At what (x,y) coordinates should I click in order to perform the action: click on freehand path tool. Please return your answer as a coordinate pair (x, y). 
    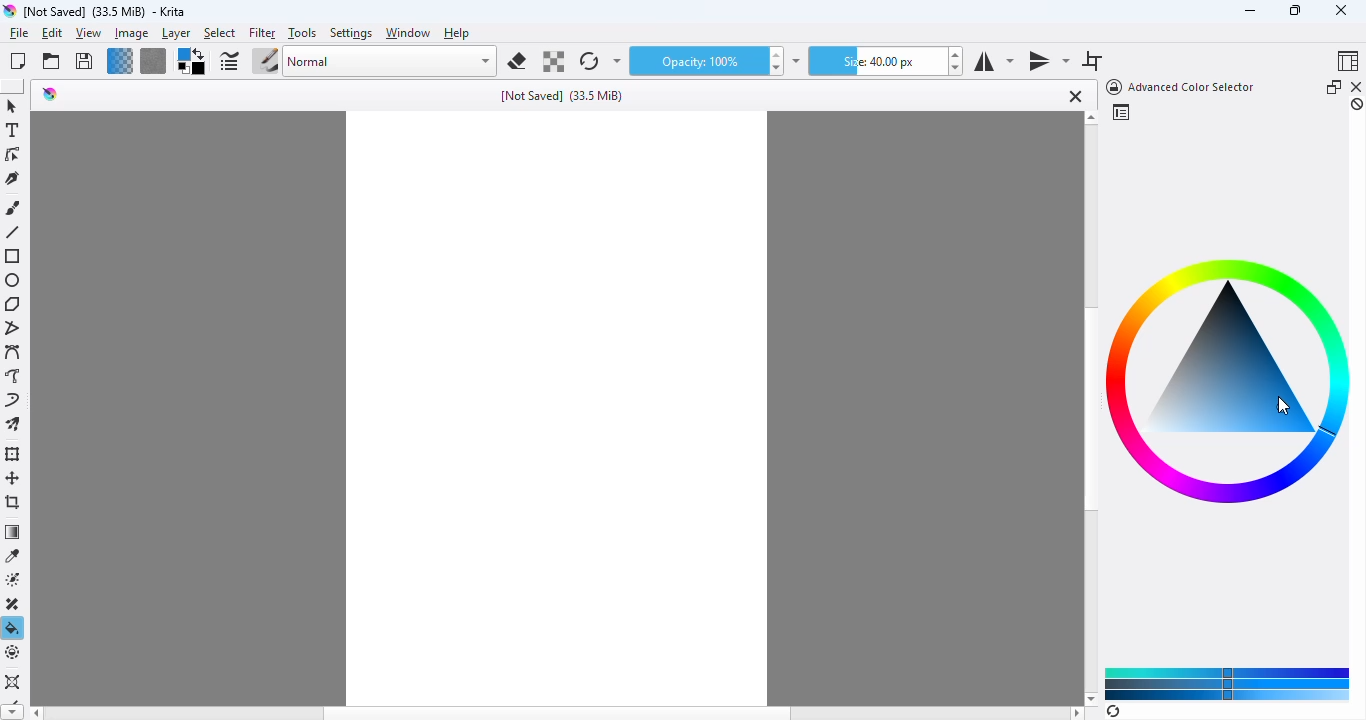
    Looking at the image, I should click on (14, 375).